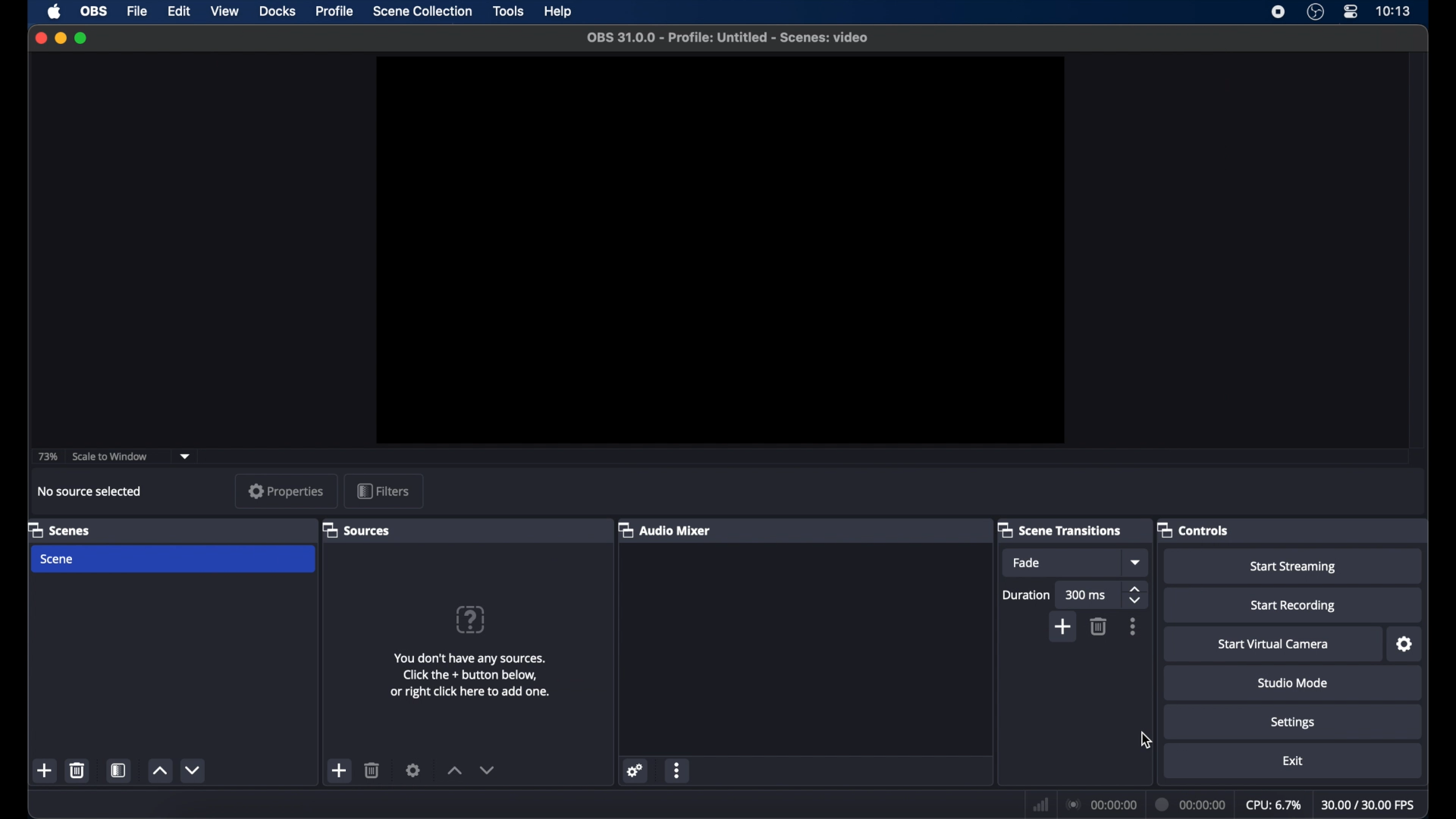 This screenshot has width=1456, height=819. Describe the element at coordinates (192, 770) in the screenshot. I see `decrement` at that location.